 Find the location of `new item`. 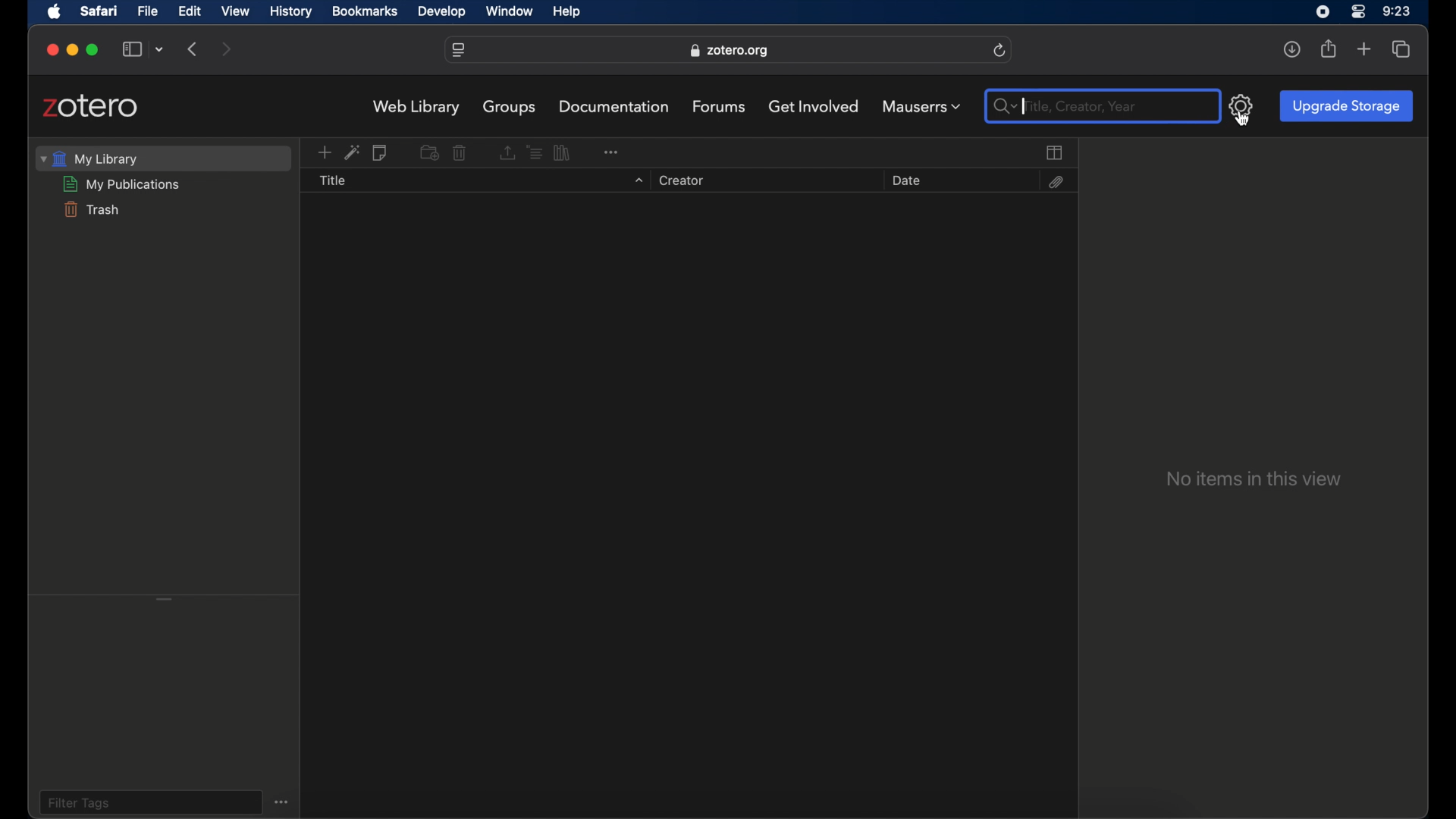

new item is located at coordinates (324, 153).